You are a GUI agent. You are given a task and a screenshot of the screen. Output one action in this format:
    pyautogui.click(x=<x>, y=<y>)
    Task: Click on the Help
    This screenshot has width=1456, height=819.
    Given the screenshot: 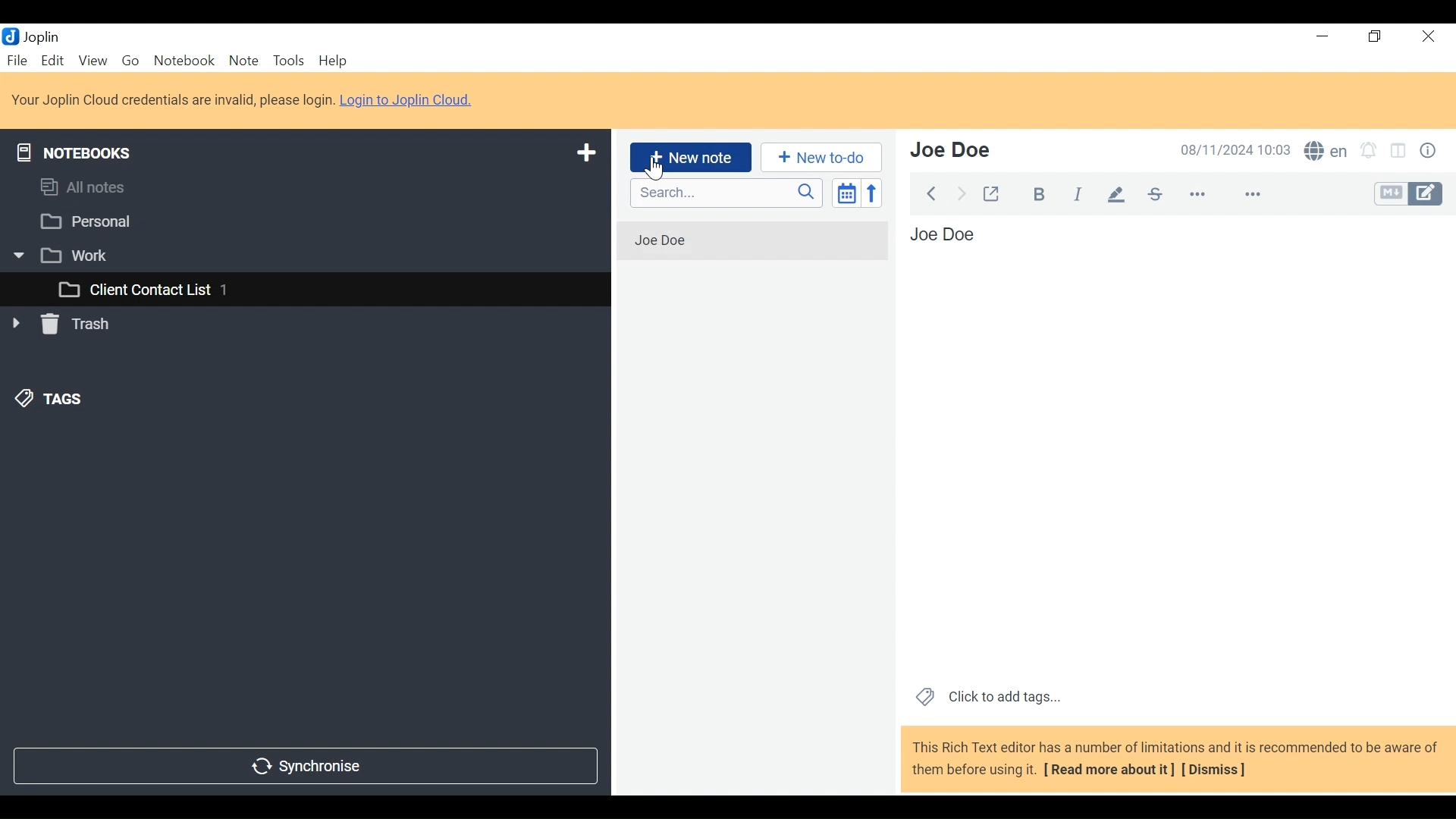 What is the action you would take?
    pyautogui.click(x=331, y=61)
    